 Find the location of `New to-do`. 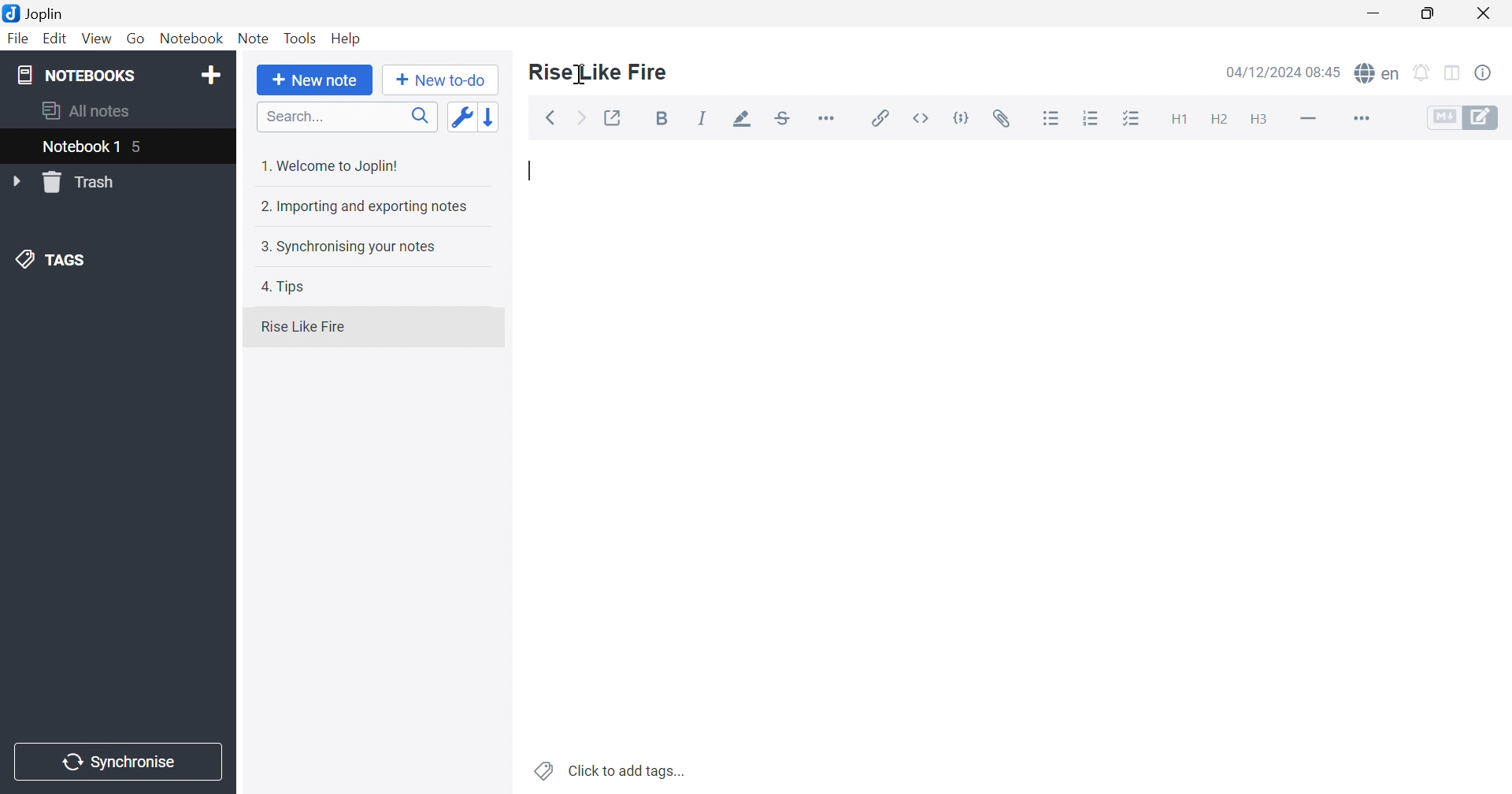

New to-do is located at coordinates (441, 80).